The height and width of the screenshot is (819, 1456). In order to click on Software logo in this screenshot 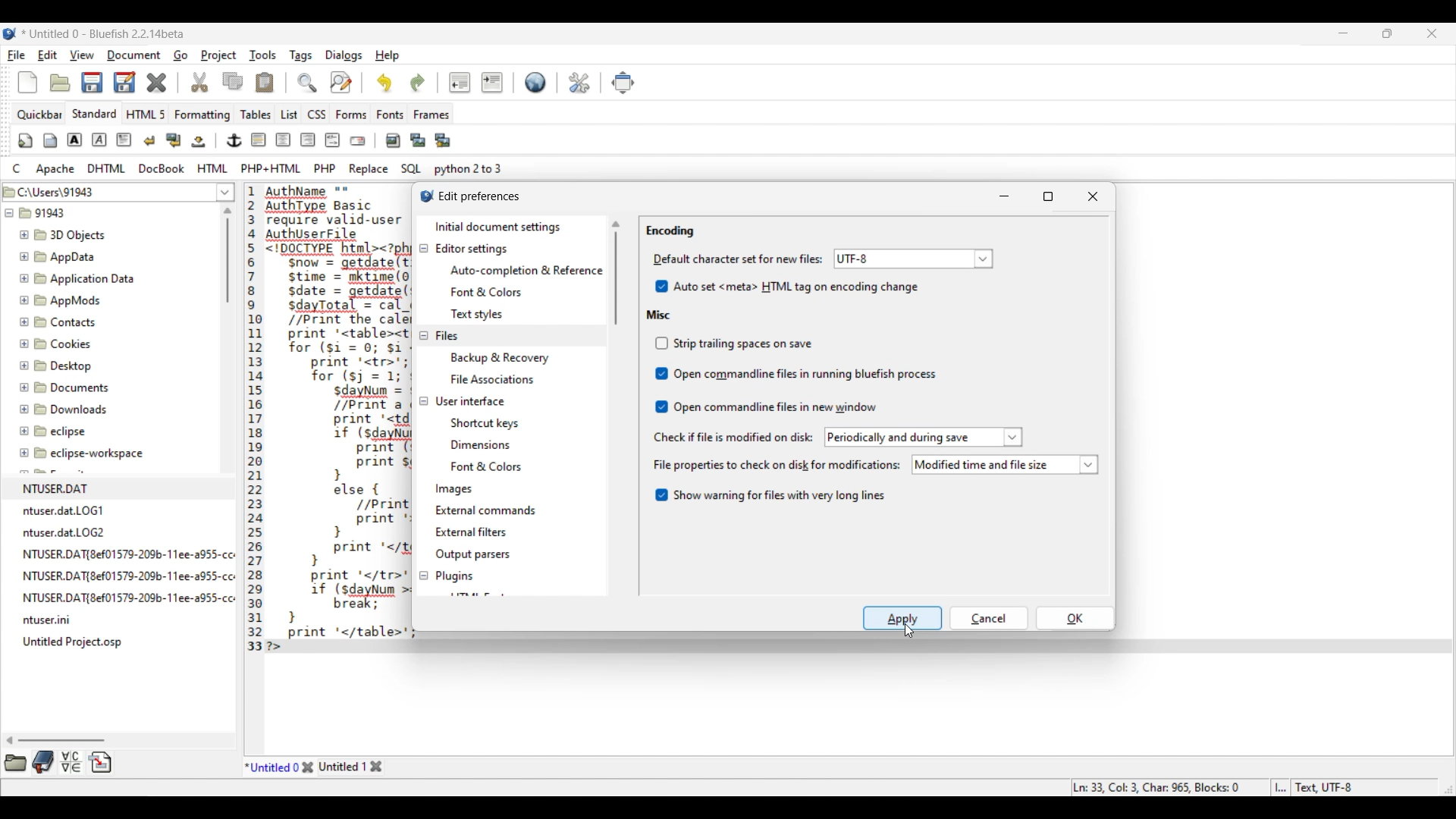, I will do `click(10, 33)`.